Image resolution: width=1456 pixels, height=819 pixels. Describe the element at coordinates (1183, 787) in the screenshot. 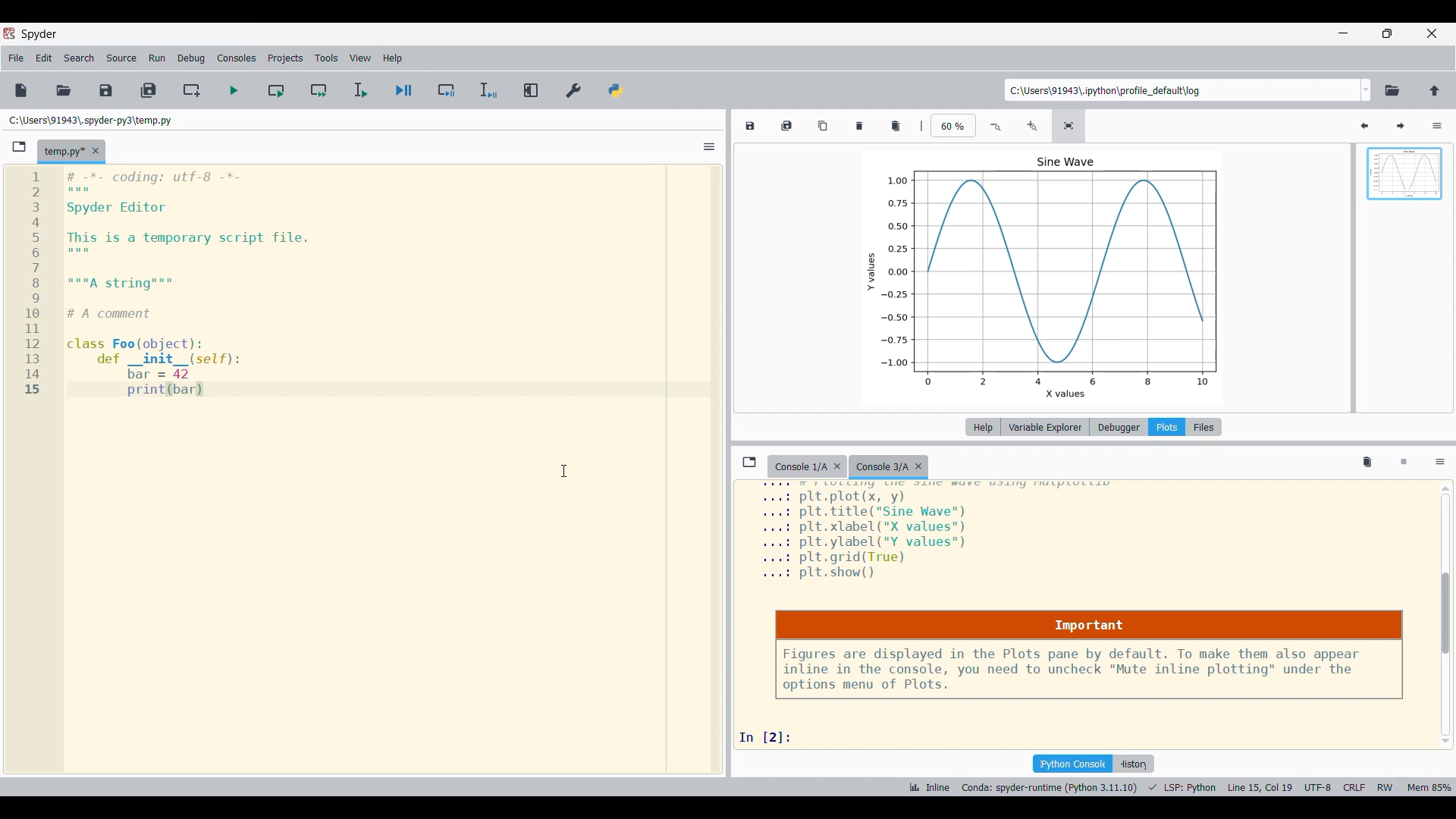

I see `PROGRAMMING LANGUAGE` at that location.